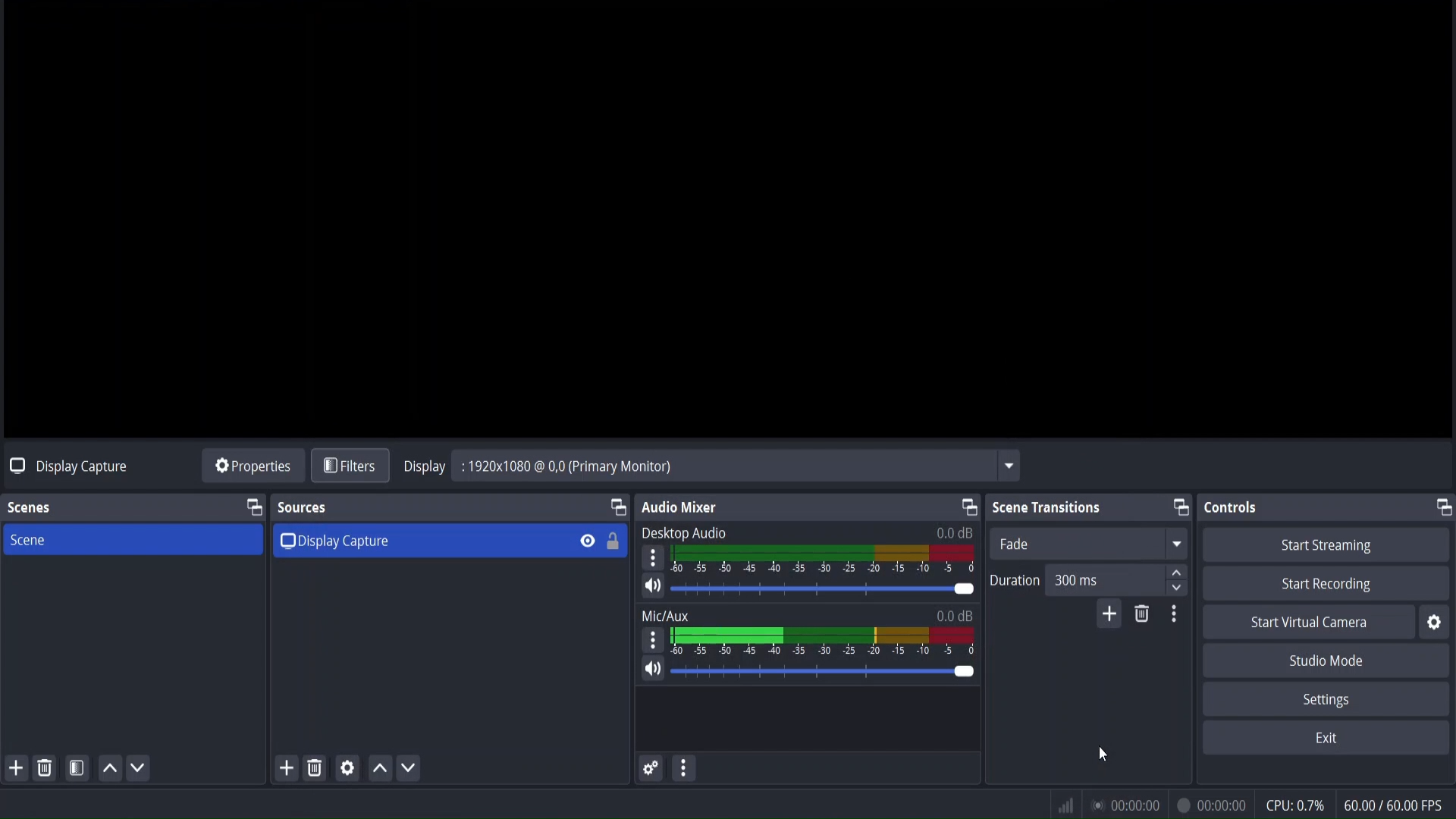 The image size is (1456, 819). What do you see at coordinates (1144, 613) in the screenshot?
I see `remove configurable transition` at bounding box center [1144, 613].